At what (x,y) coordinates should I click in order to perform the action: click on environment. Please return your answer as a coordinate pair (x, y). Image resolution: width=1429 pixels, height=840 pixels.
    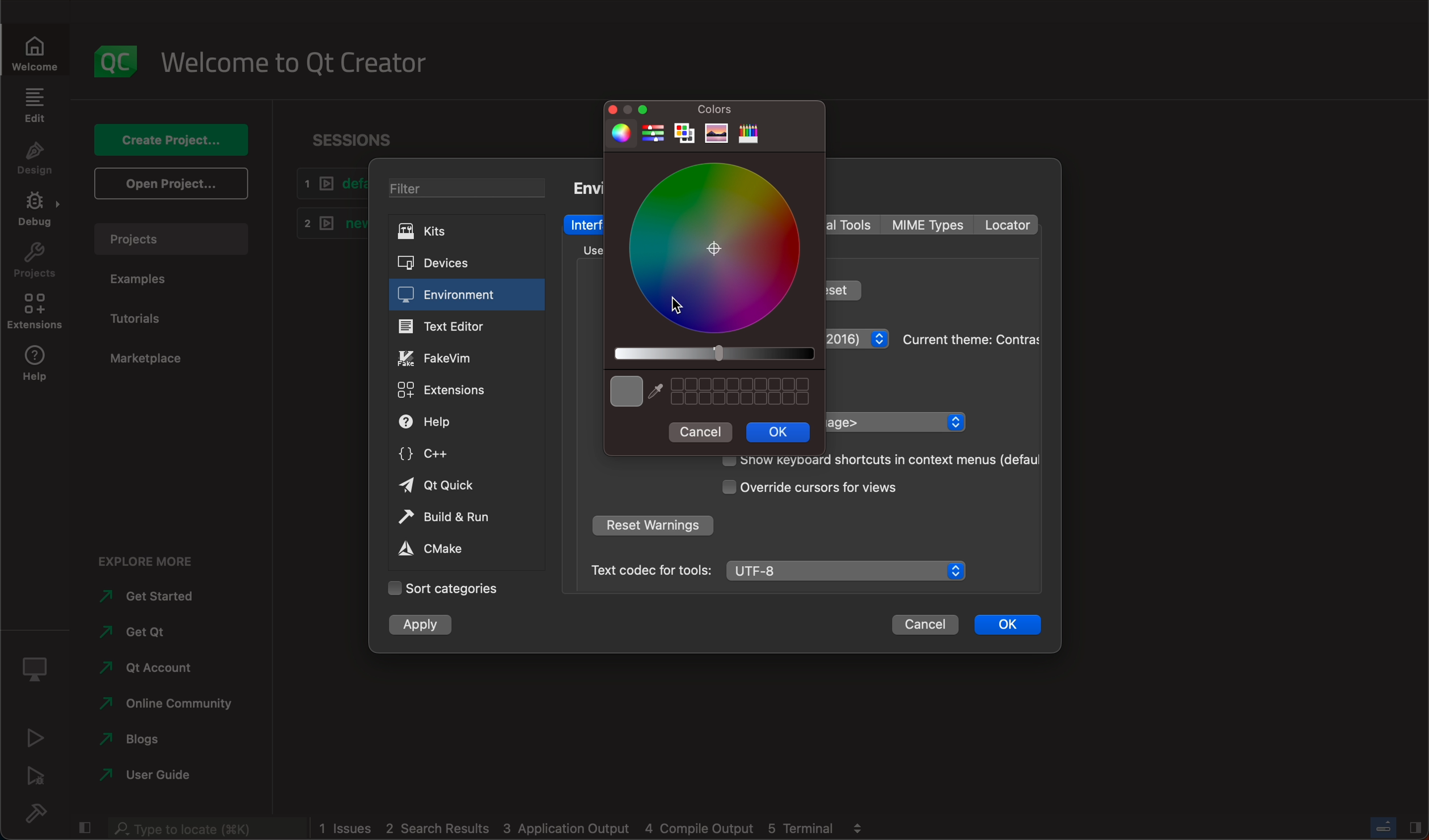
    Looking at the image, I should click on (466, 295).